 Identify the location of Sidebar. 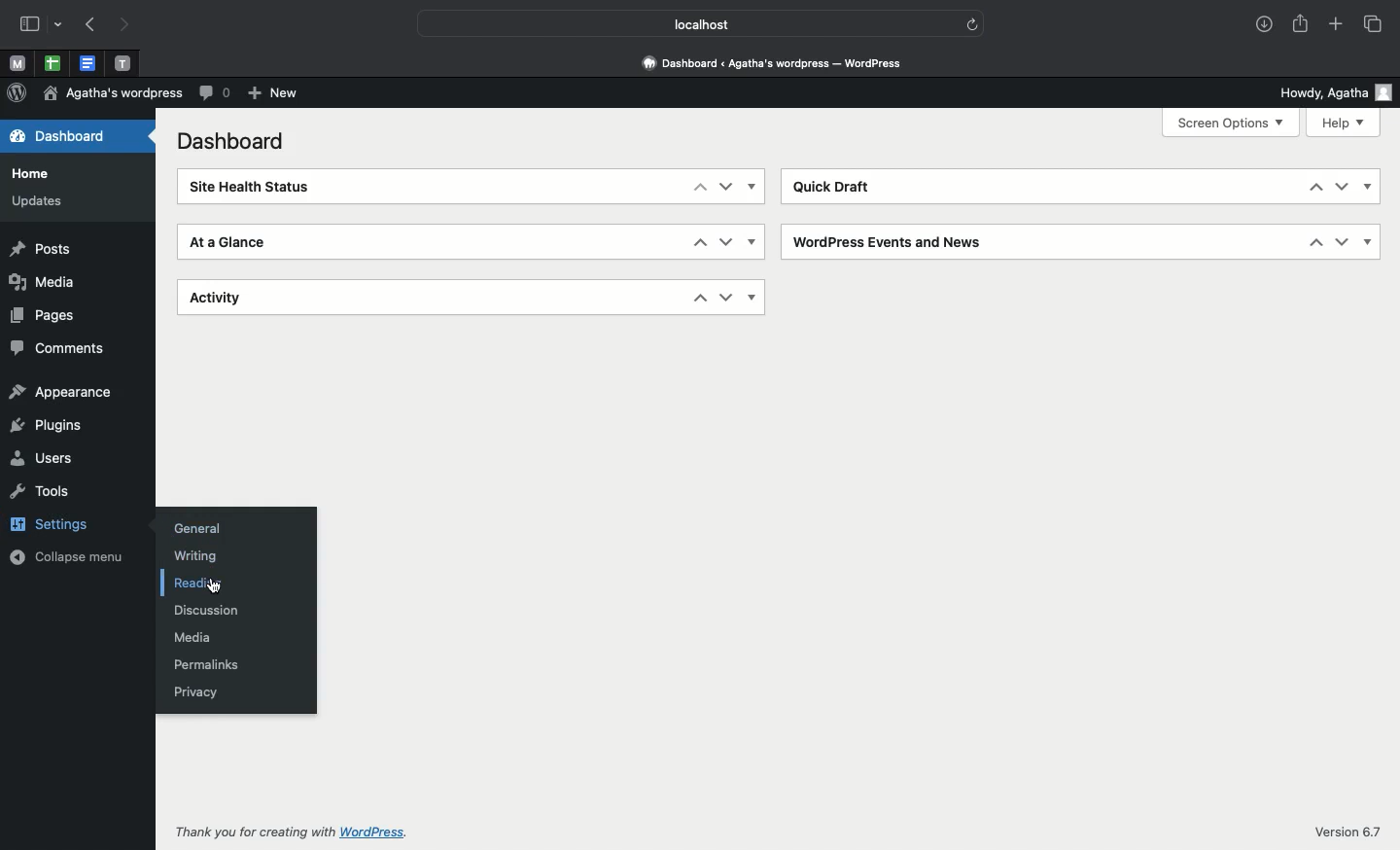
(31, 24).